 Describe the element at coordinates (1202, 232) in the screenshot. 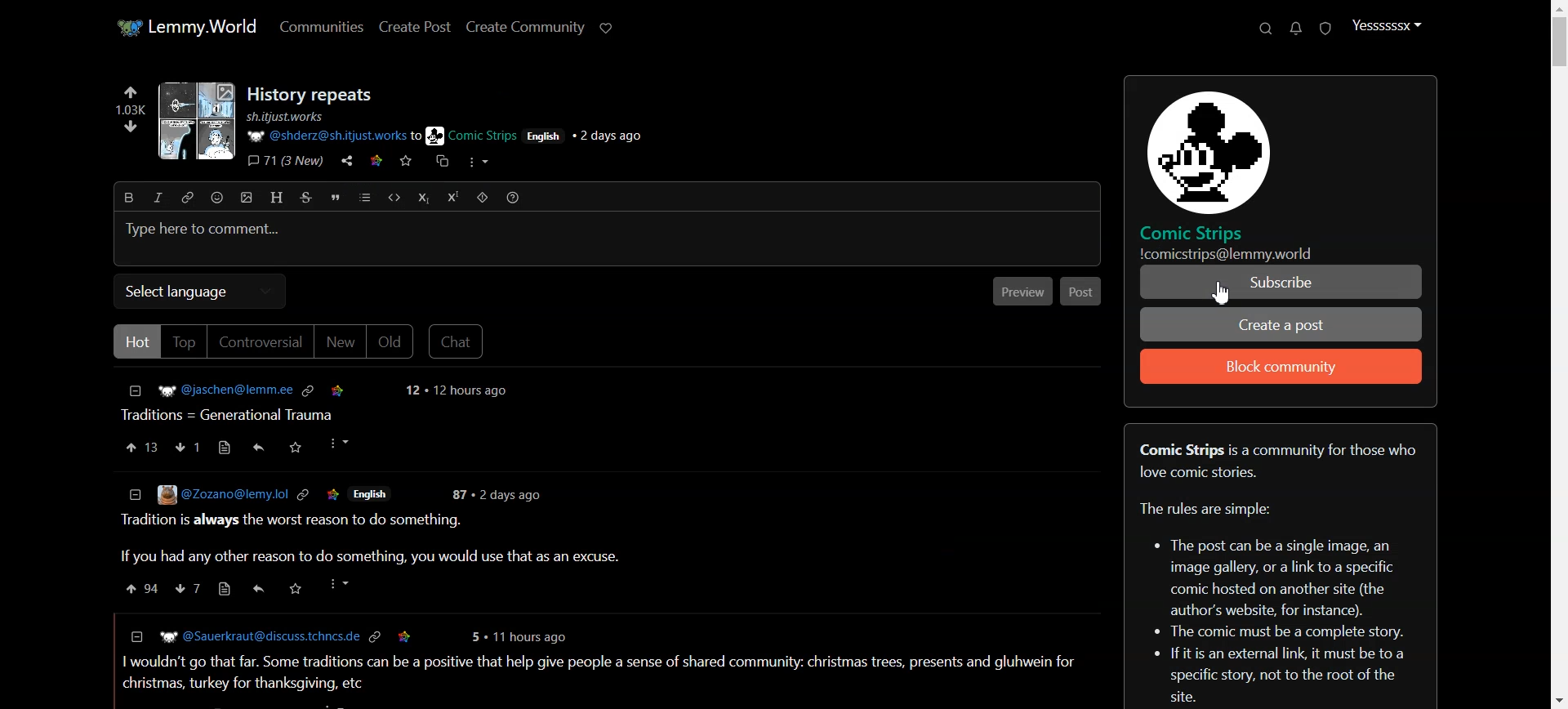

I see `Comic Strips` at that location.